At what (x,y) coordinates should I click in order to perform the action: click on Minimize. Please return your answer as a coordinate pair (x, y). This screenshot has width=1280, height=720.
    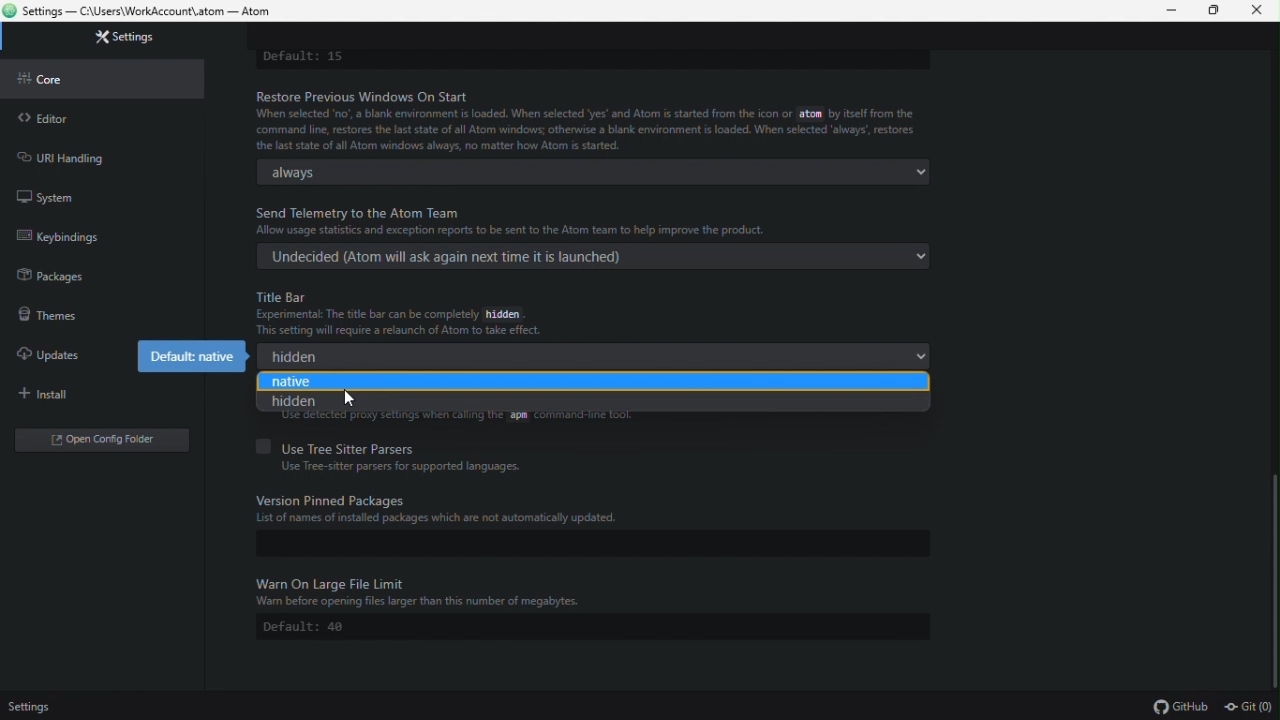
    Looking at the image, I should click on (1173, 11).